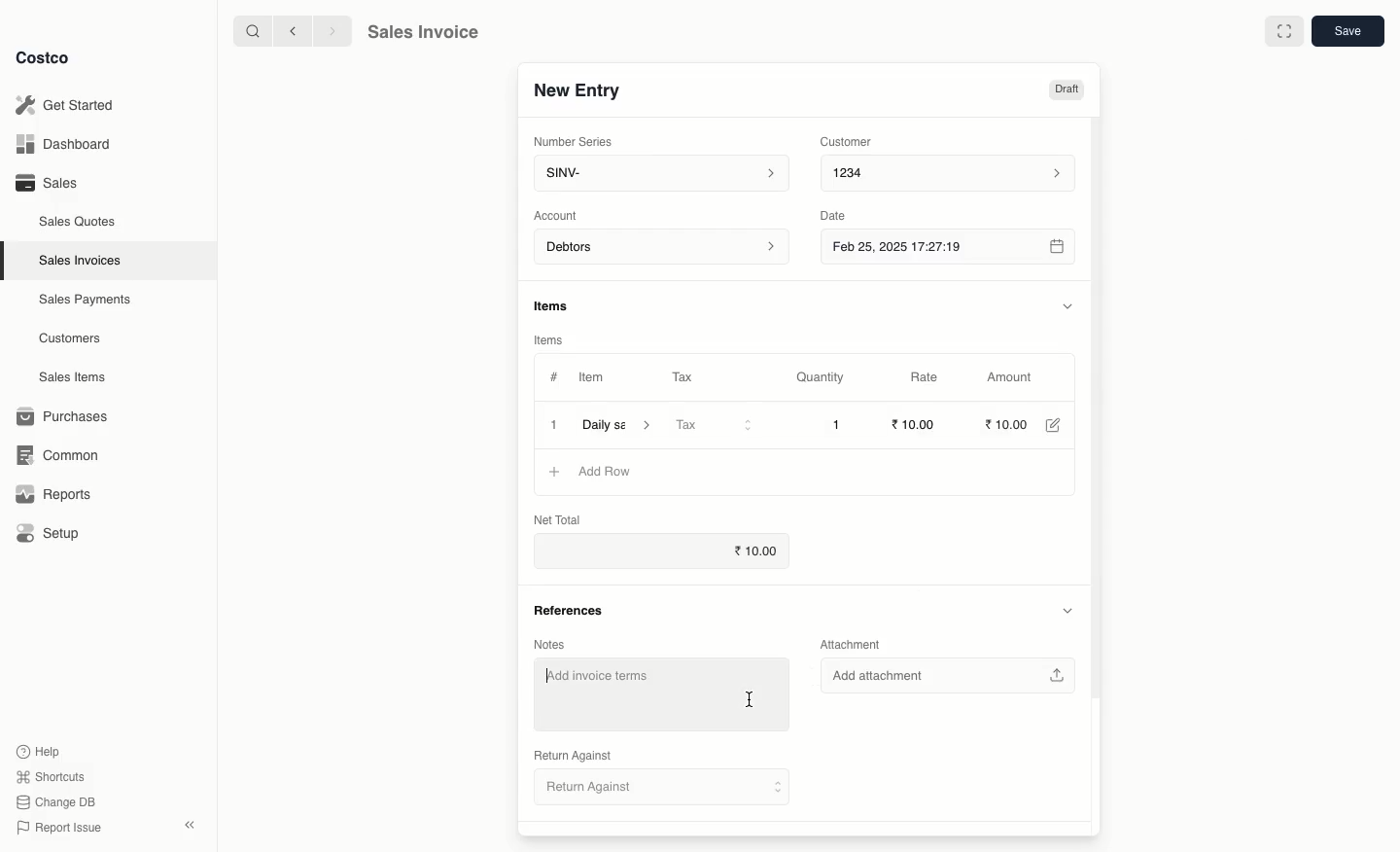 The width and height of the screenshot is (1400, 852). I want to click on Report Issue, so click(61, 828).